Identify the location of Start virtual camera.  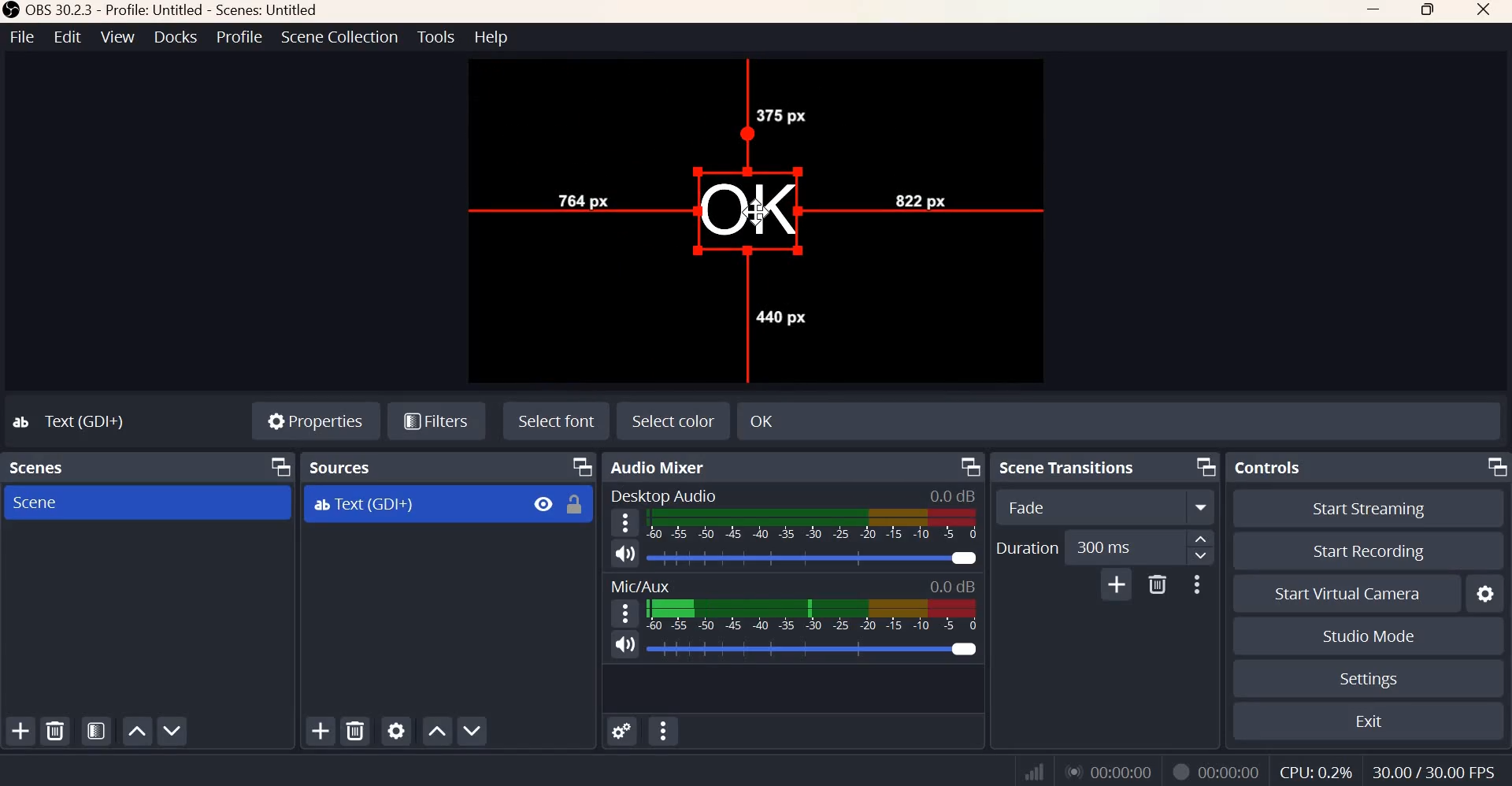
(1350, 592).